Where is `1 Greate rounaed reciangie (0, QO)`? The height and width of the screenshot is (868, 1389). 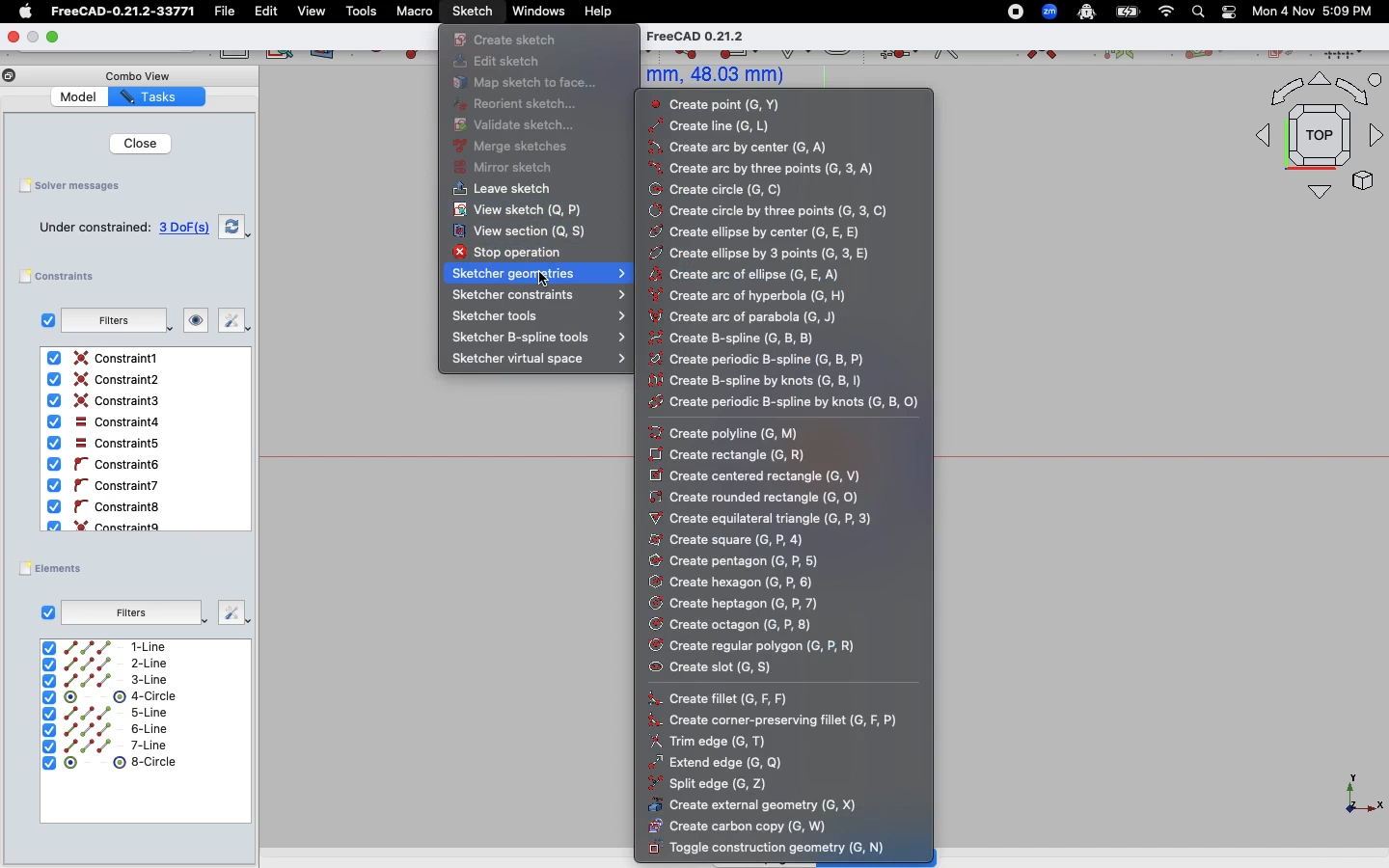 1 Greate rounaed reciangie (0, QO) is located at coordinates (771, 496).